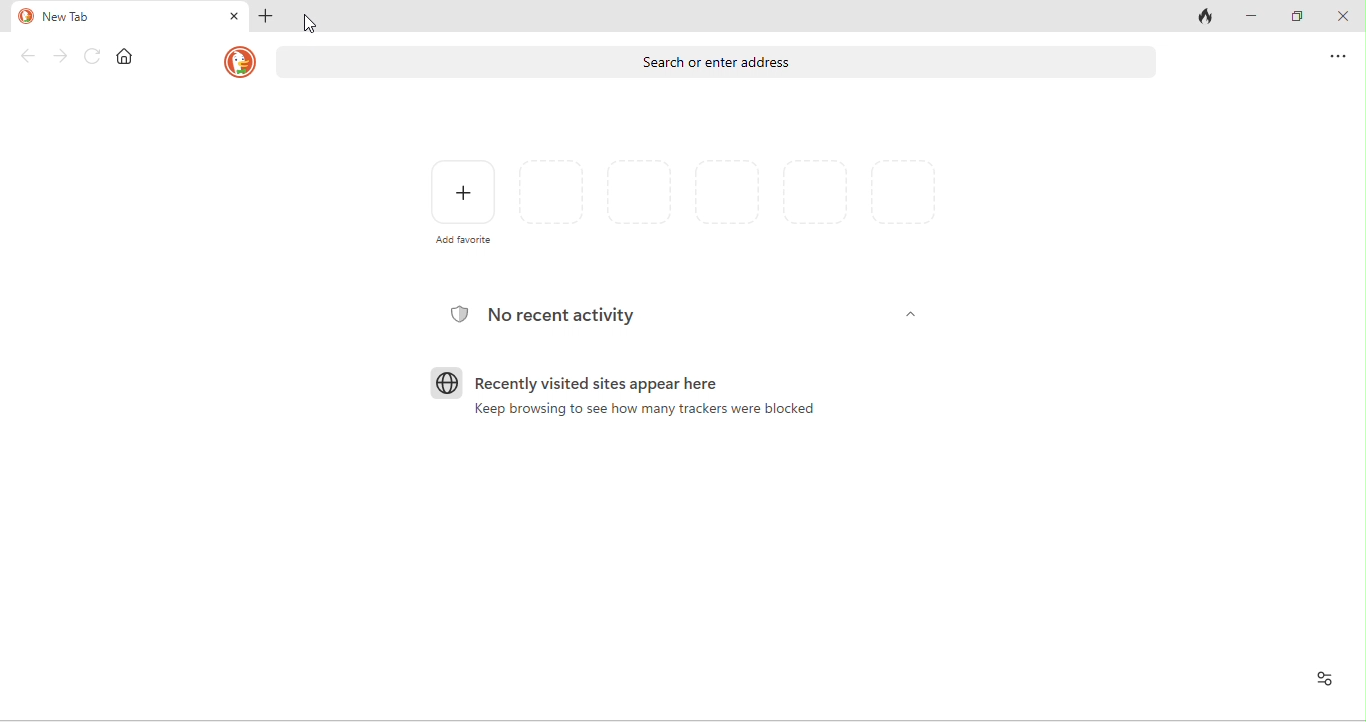 This screenshot has height=722, width=1366. Describe the element at coordinates (464, 202) in the screenshot. I see `add favorite` at that location.